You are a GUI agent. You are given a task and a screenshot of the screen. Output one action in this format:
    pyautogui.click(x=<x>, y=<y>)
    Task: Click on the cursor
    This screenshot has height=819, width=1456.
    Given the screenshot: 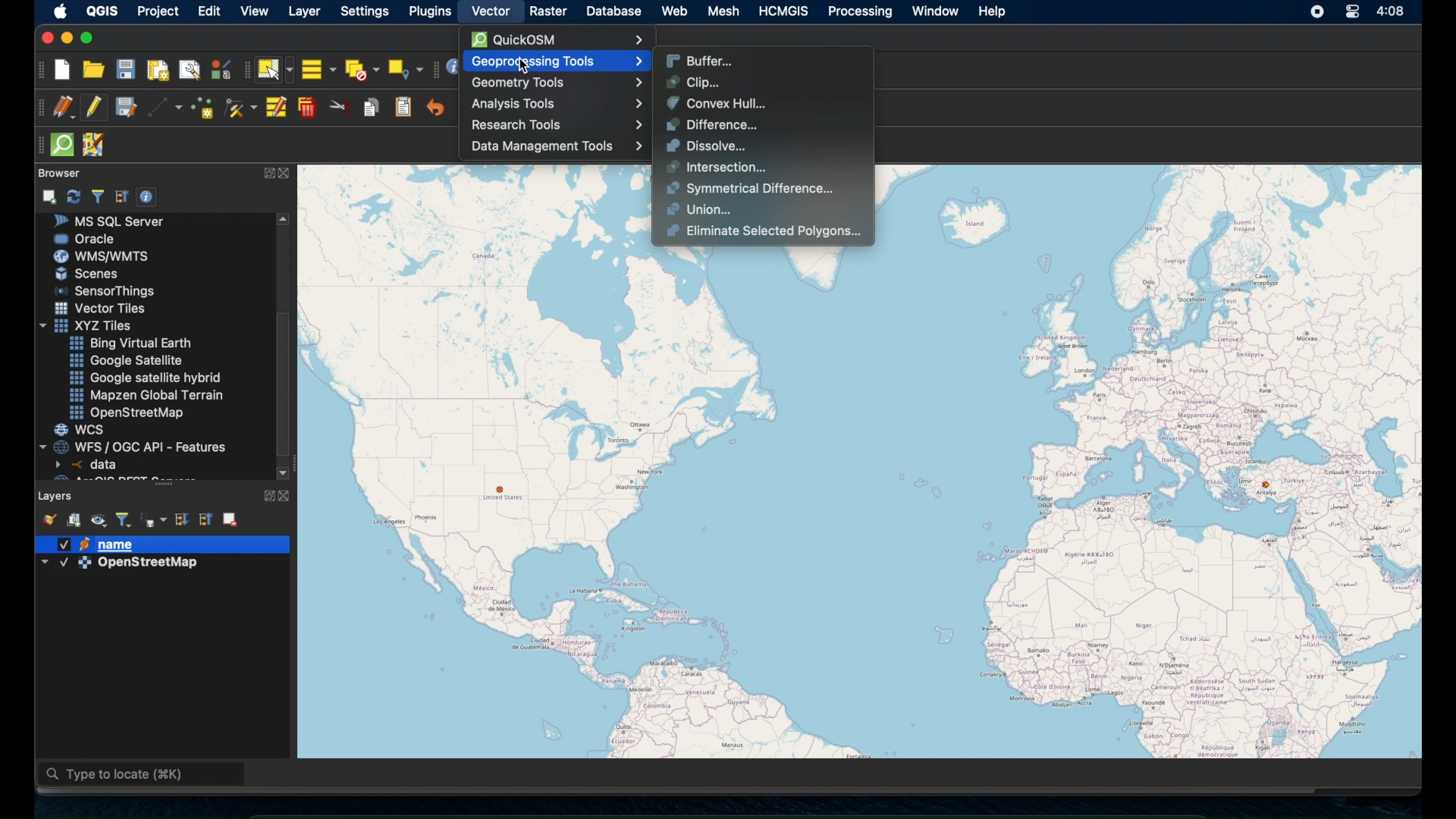 What is the action you would take?
    pyautogui.click(x=513, y=65)
    